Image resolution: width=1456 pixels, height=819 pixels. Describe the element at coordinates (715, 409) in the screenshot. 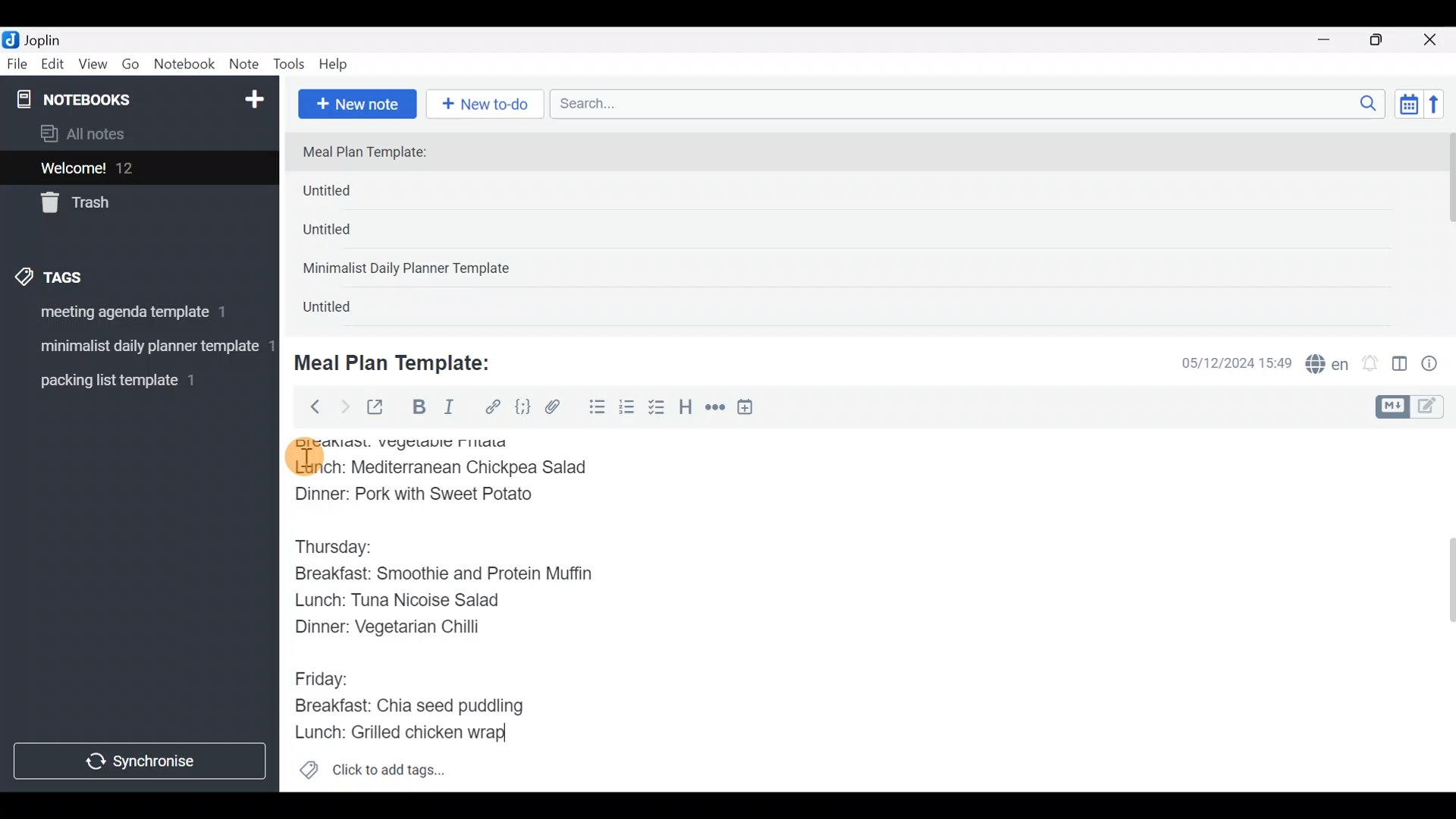

I see `Horizontal rule` at that location.